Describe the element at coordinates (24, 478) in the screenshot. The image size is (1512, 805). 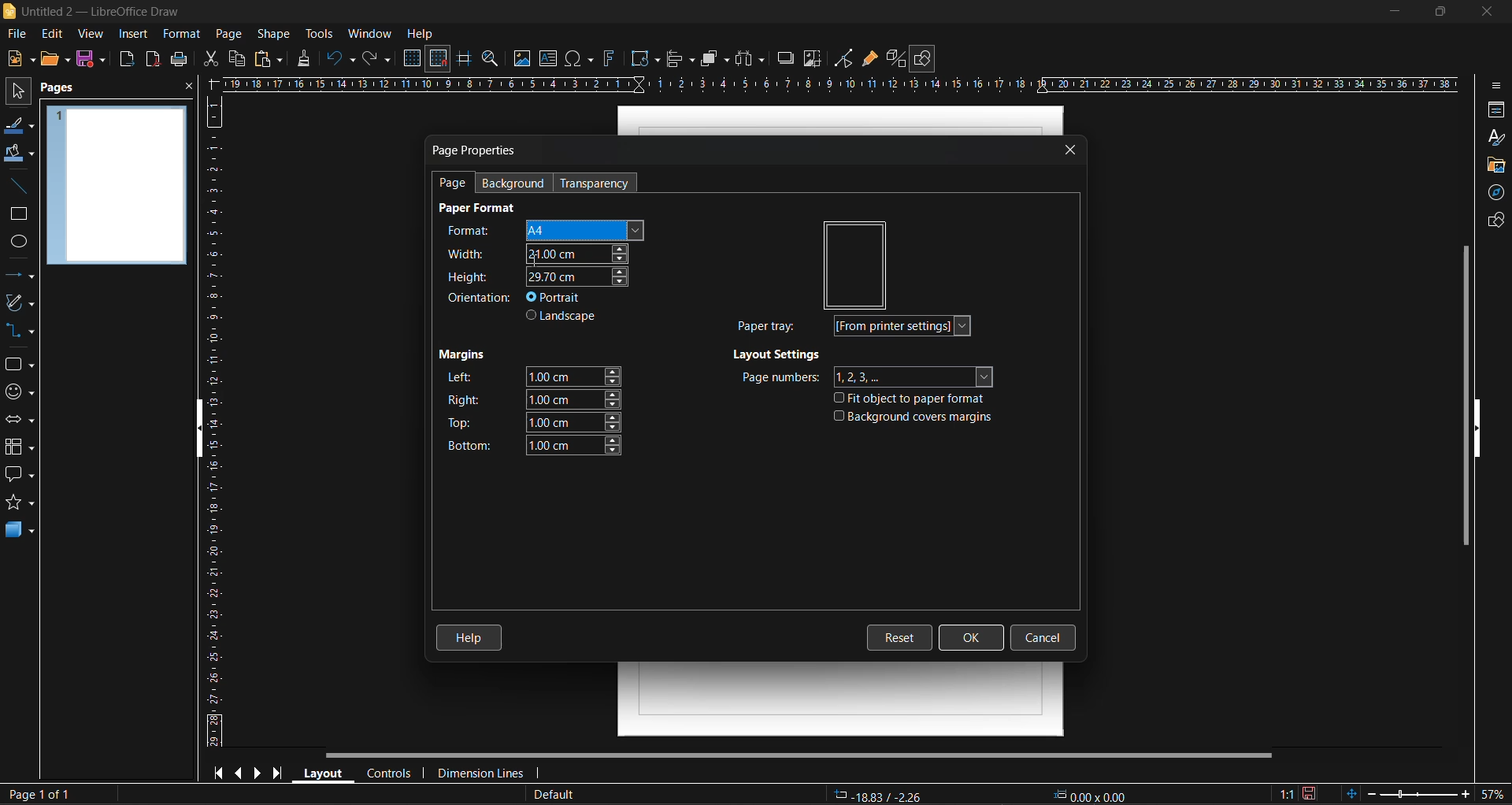
I see `callout shapes` at that location.